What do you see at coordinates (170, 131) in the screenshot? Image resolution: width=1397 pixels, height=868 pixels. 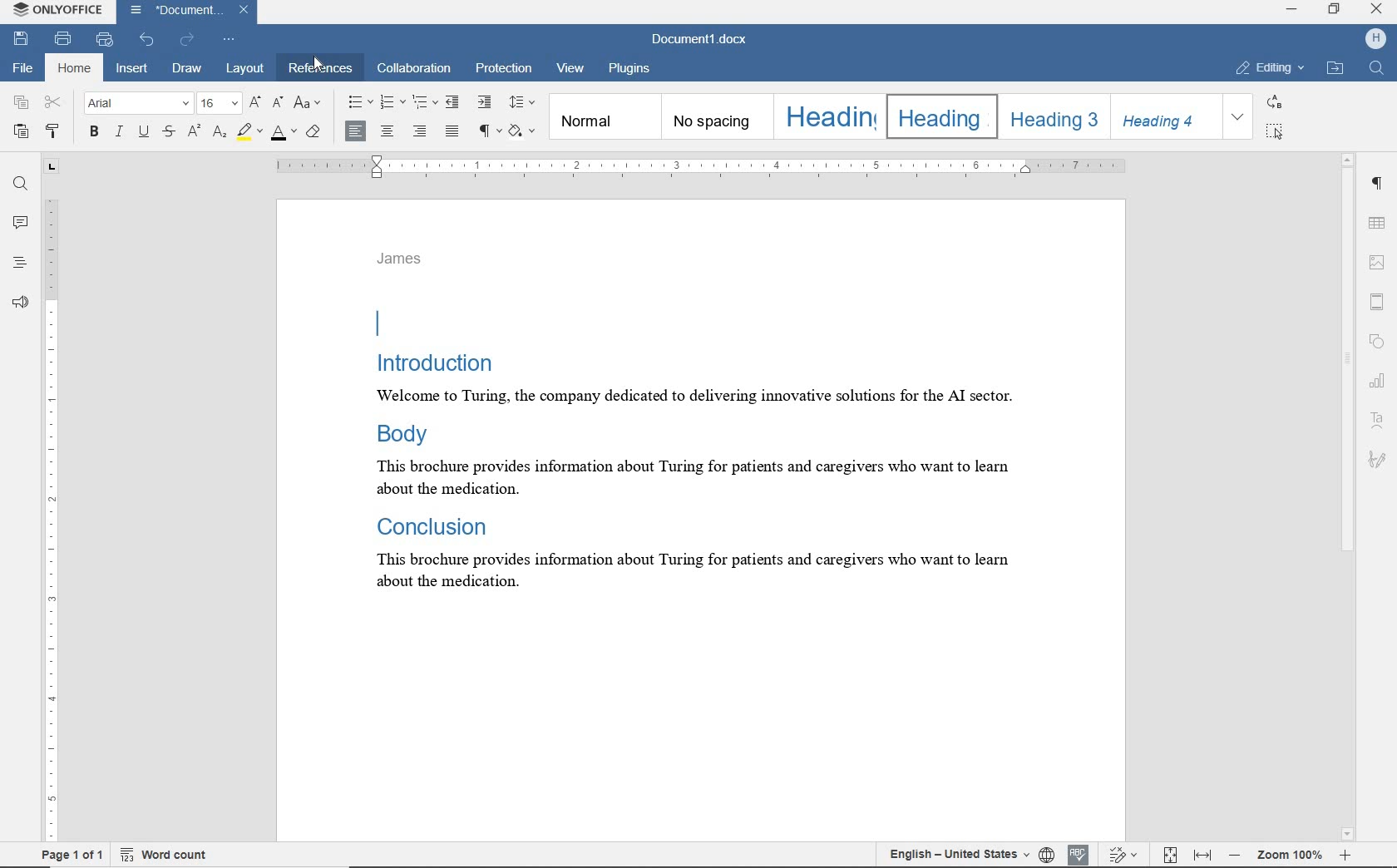 I see `strikethrough` at bounding box center [170, 131].